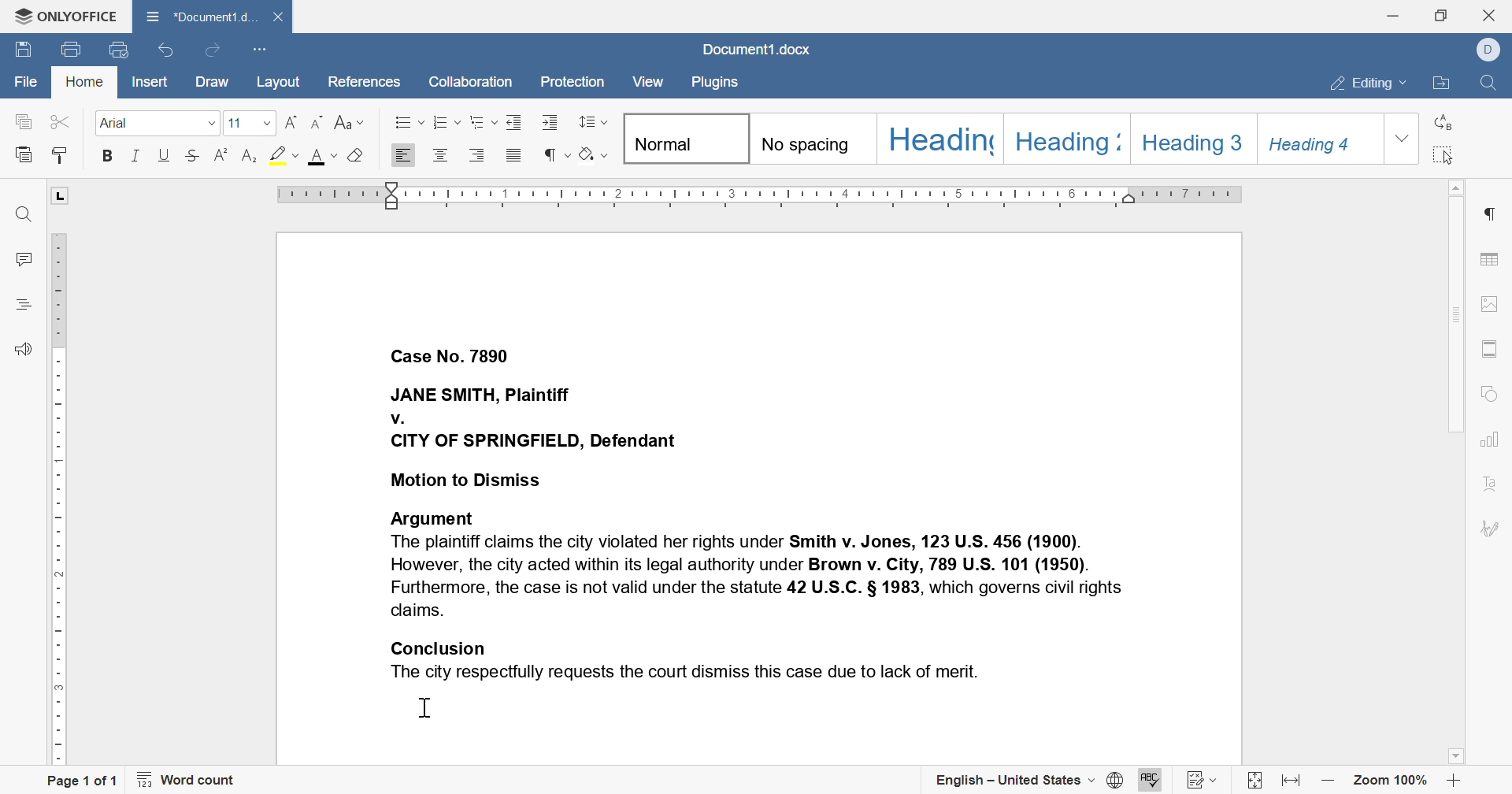  Describe the element at coordinates (1489, 347) in the screenshot. I see `header & footer settings` at that location.